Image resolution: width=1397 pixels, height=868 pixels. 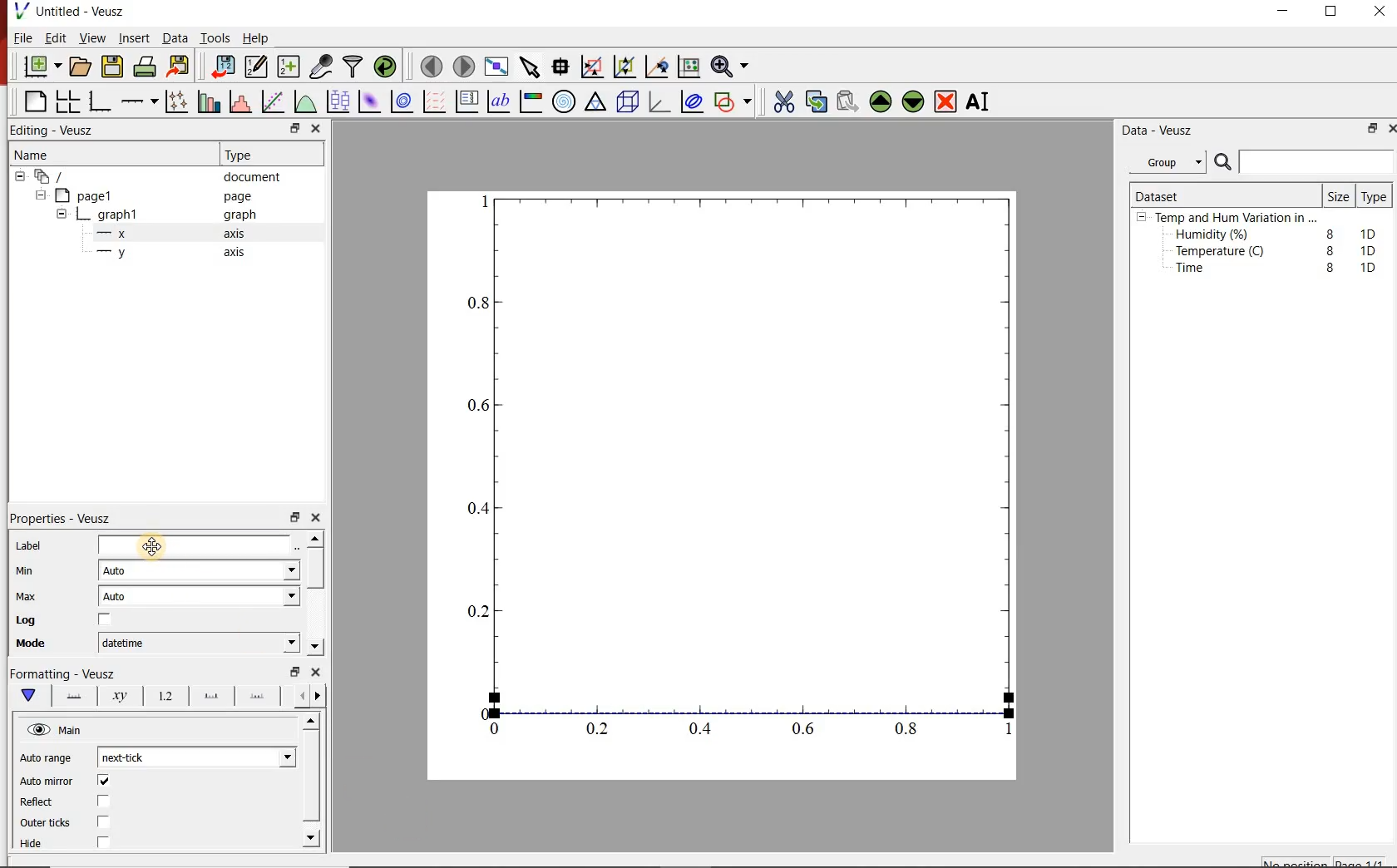 What do you see at coordinates (62, 213) in the screenshot?
I see `hide sub menu` at bounding box center [62, 213].